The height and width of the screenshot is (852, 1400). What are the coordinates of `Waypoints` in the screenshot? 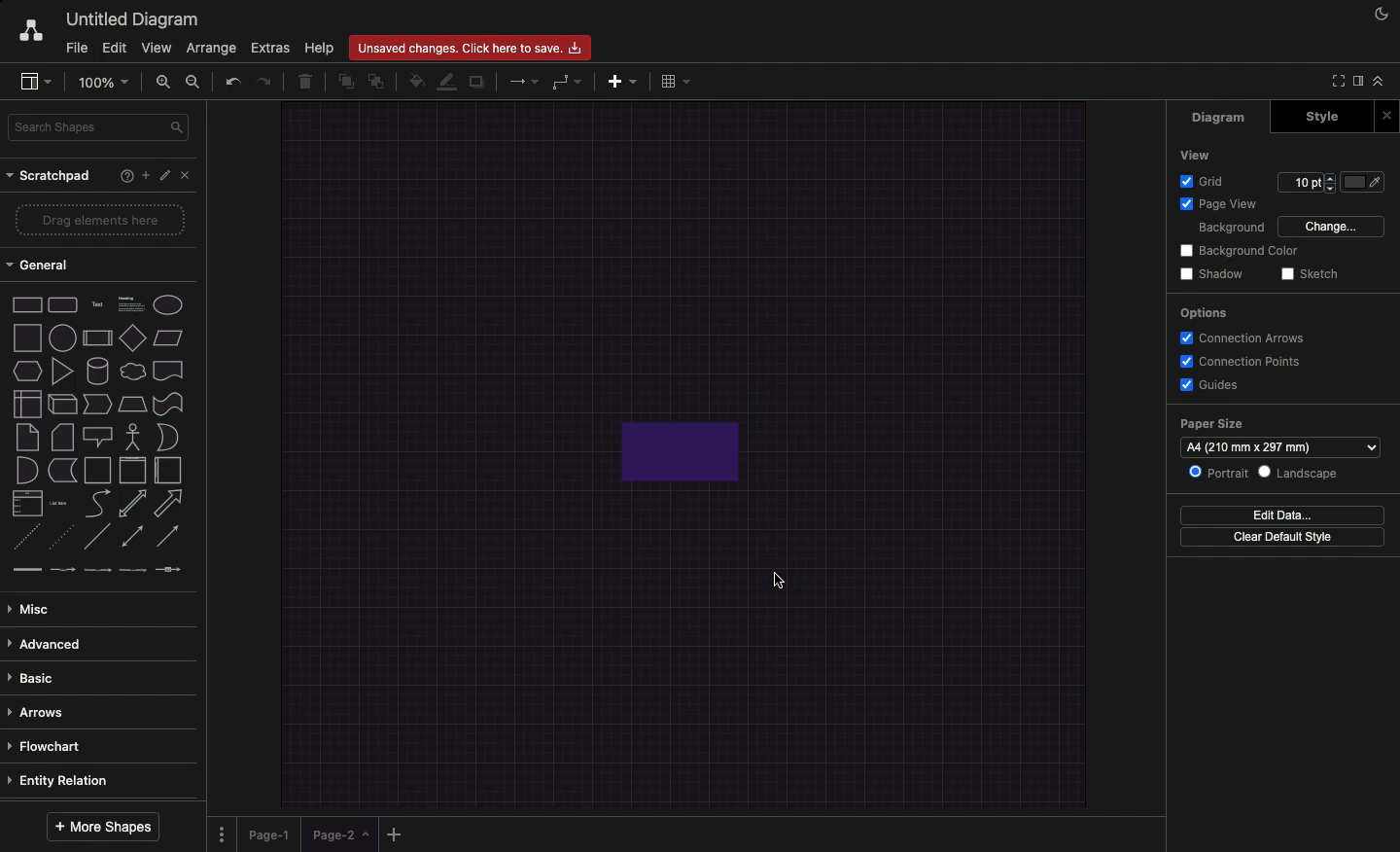 It's located at (569, 83).